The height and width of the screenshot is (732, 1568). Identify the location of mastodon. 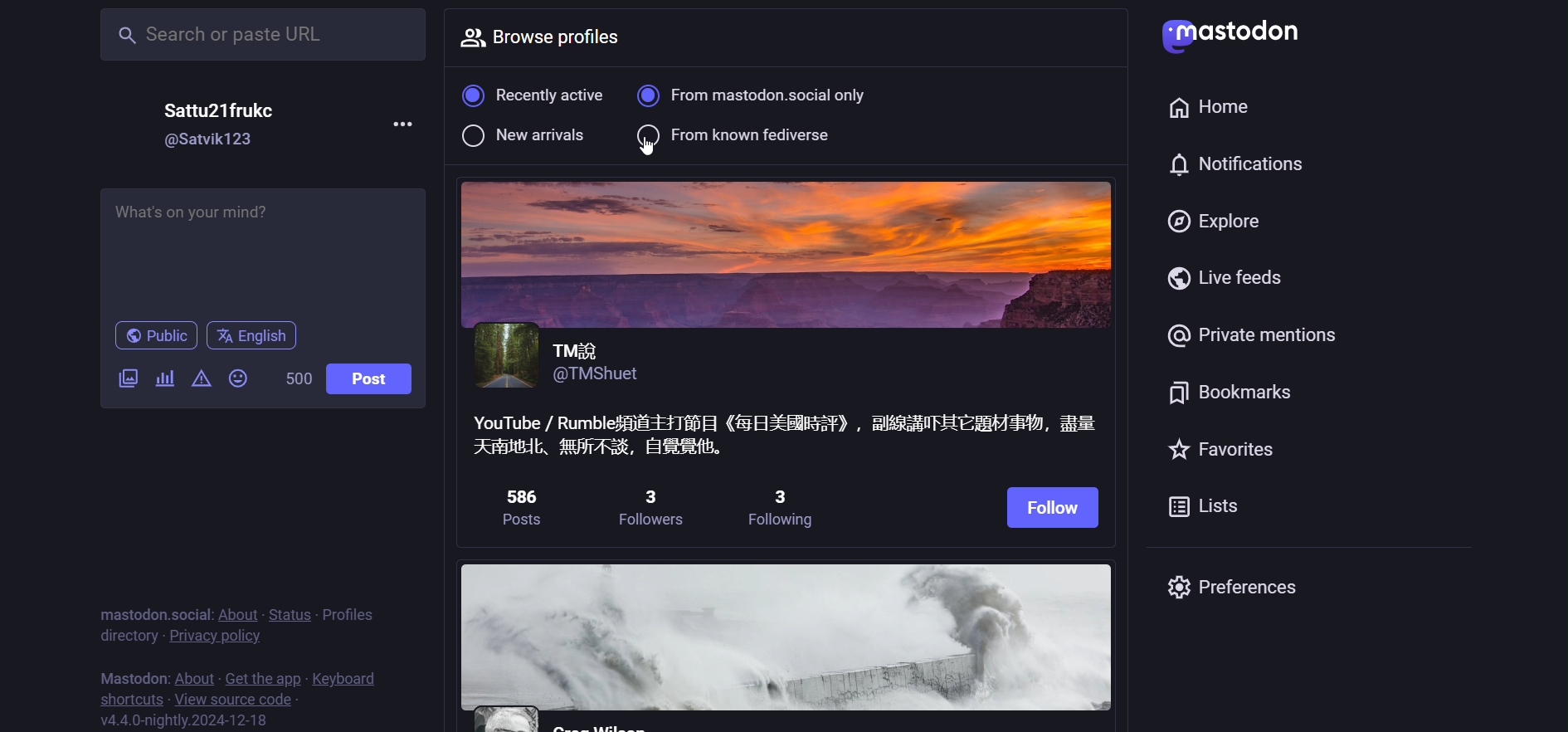
(132, 676).